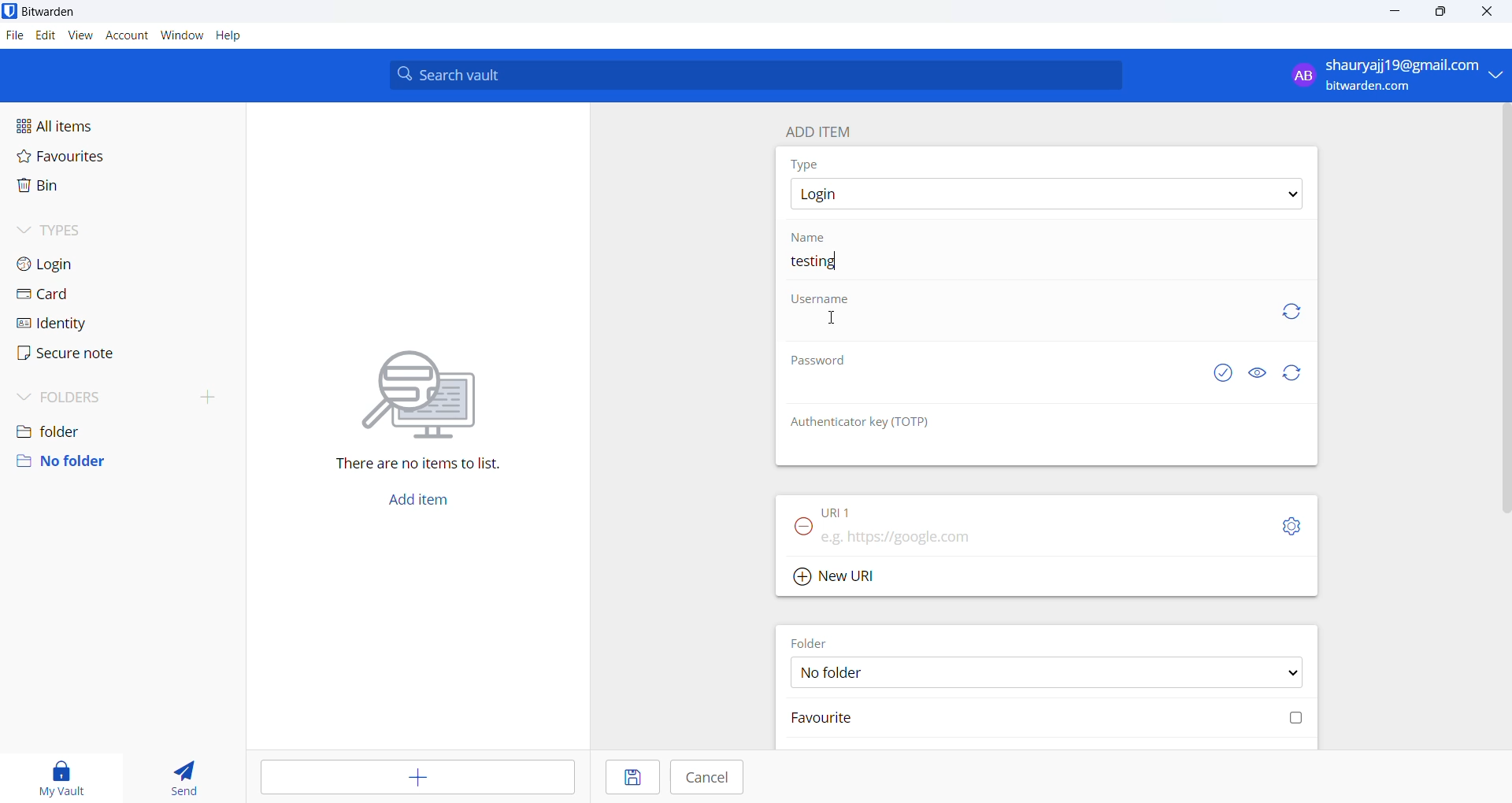  What do you see at coordinates (1503, 309) in the screenshot?
I see `vertical scrollbar` at bounding box center [1503, 309].